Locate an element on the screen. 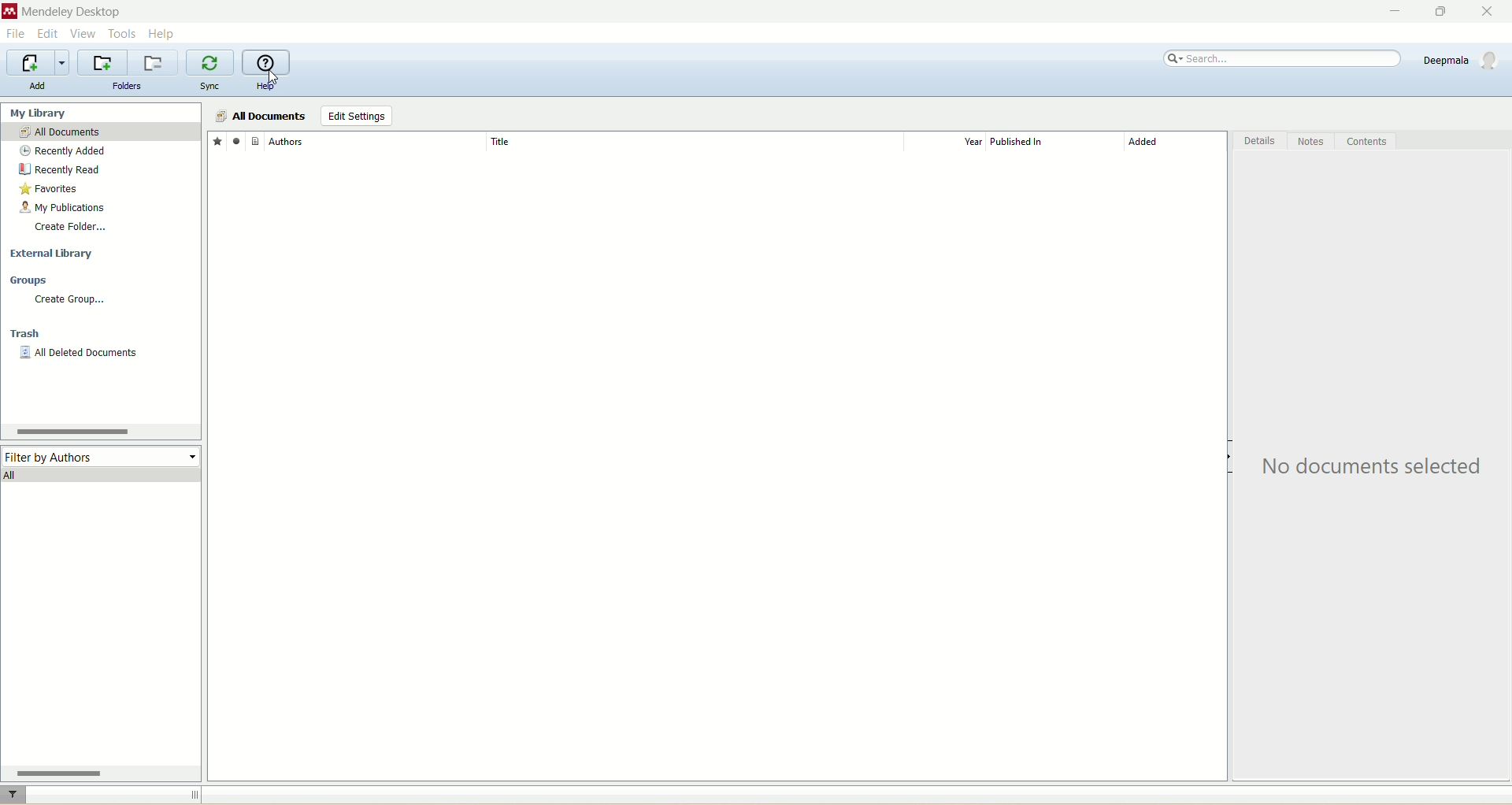  cursor is located at coordinates (271, 77).